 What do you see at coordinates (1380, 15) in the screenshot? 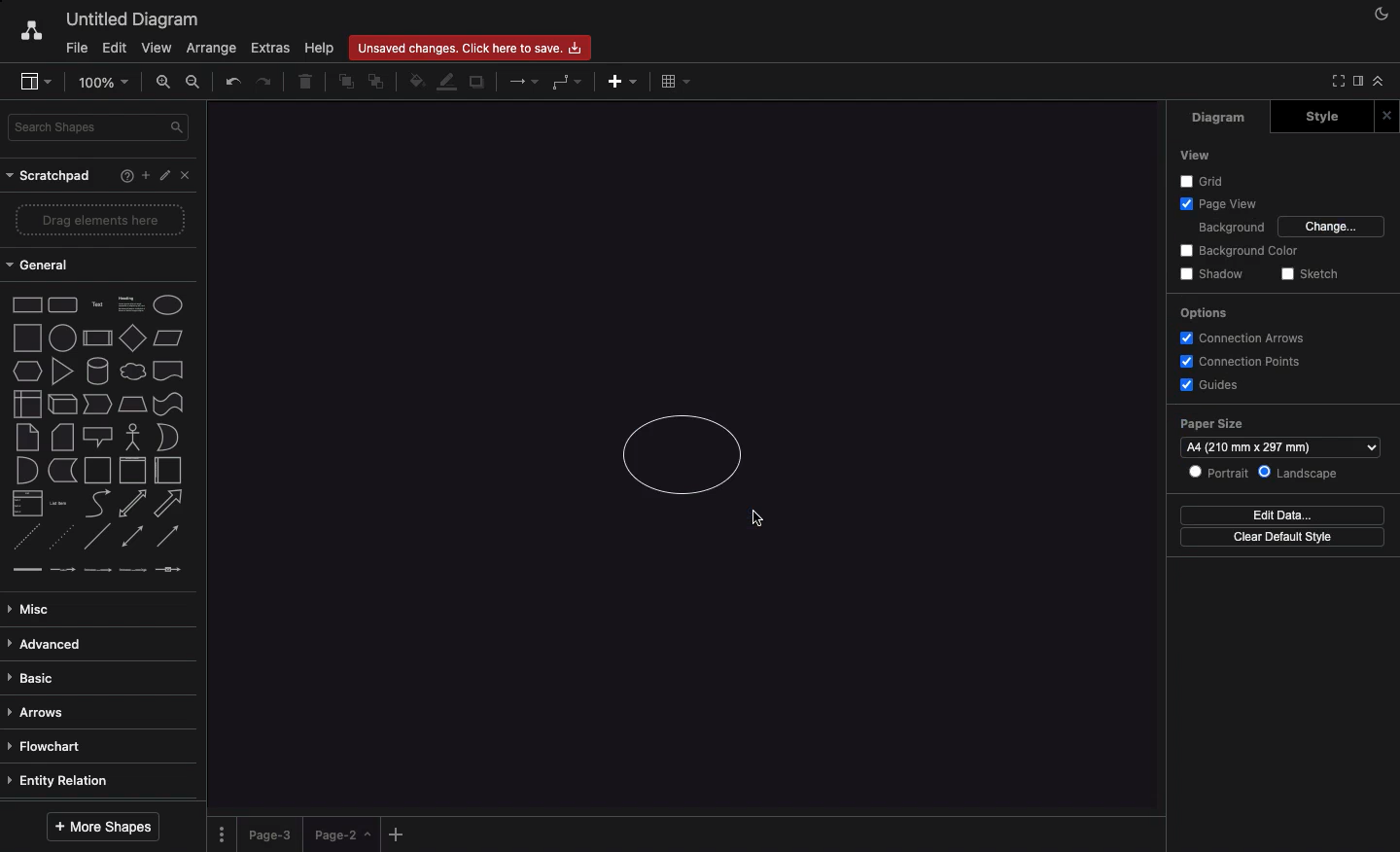
I see `Night mode on` at bounding box center [1380, 15].